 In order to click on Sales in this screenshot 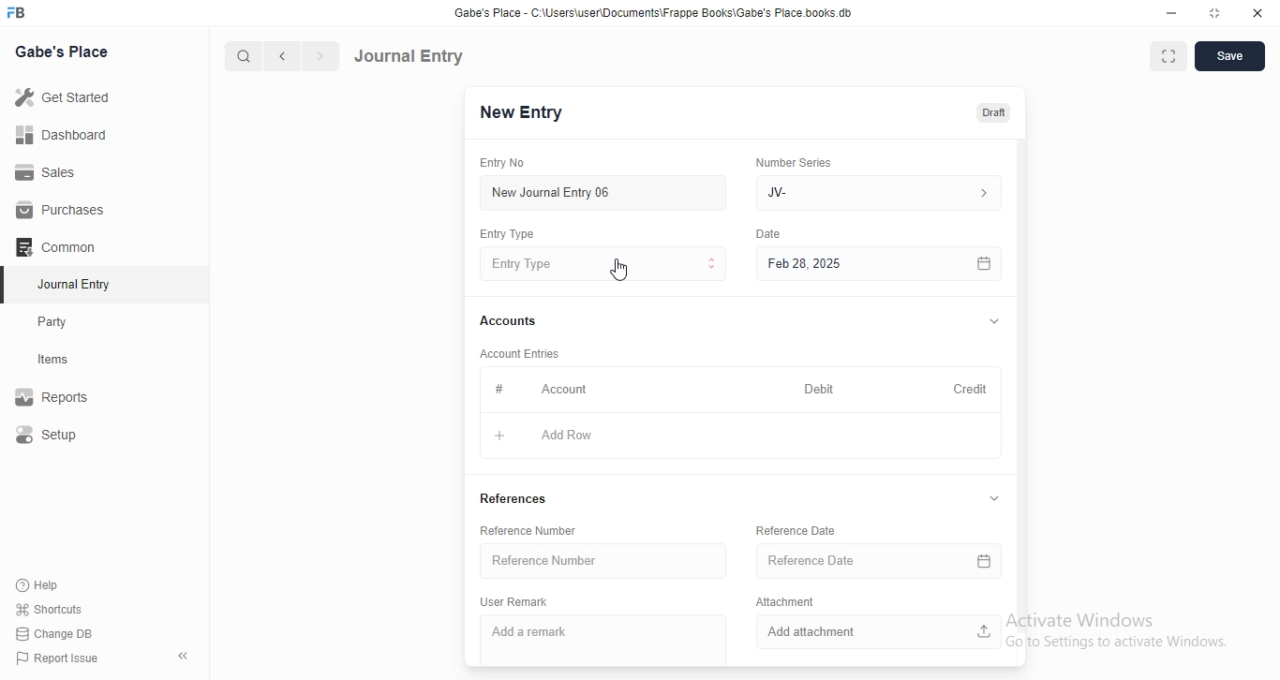, I will do `click(64, 171)`.